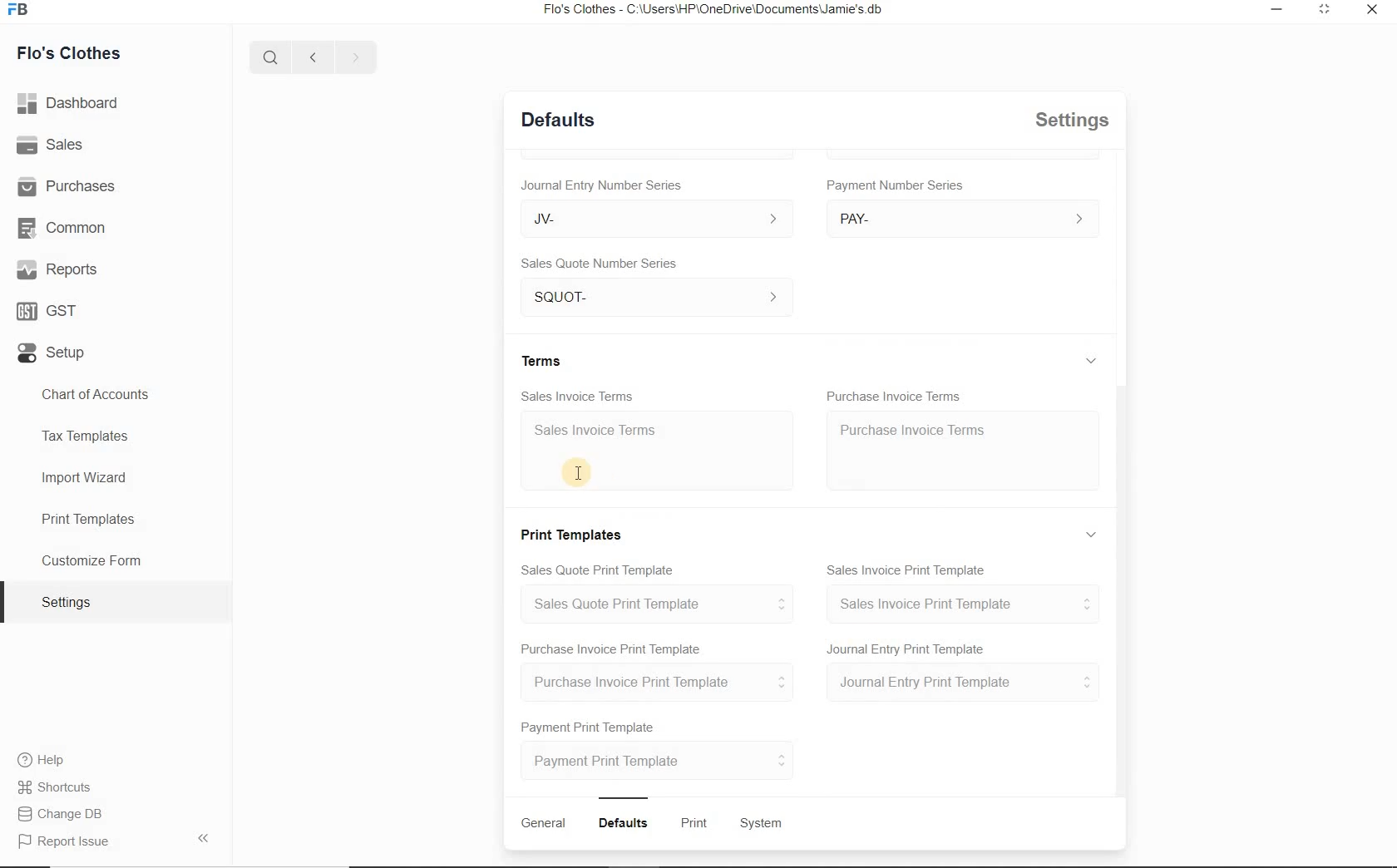  Describe the element at coordinates (541, 359) in the screenshot. I see `Terms` at that location.